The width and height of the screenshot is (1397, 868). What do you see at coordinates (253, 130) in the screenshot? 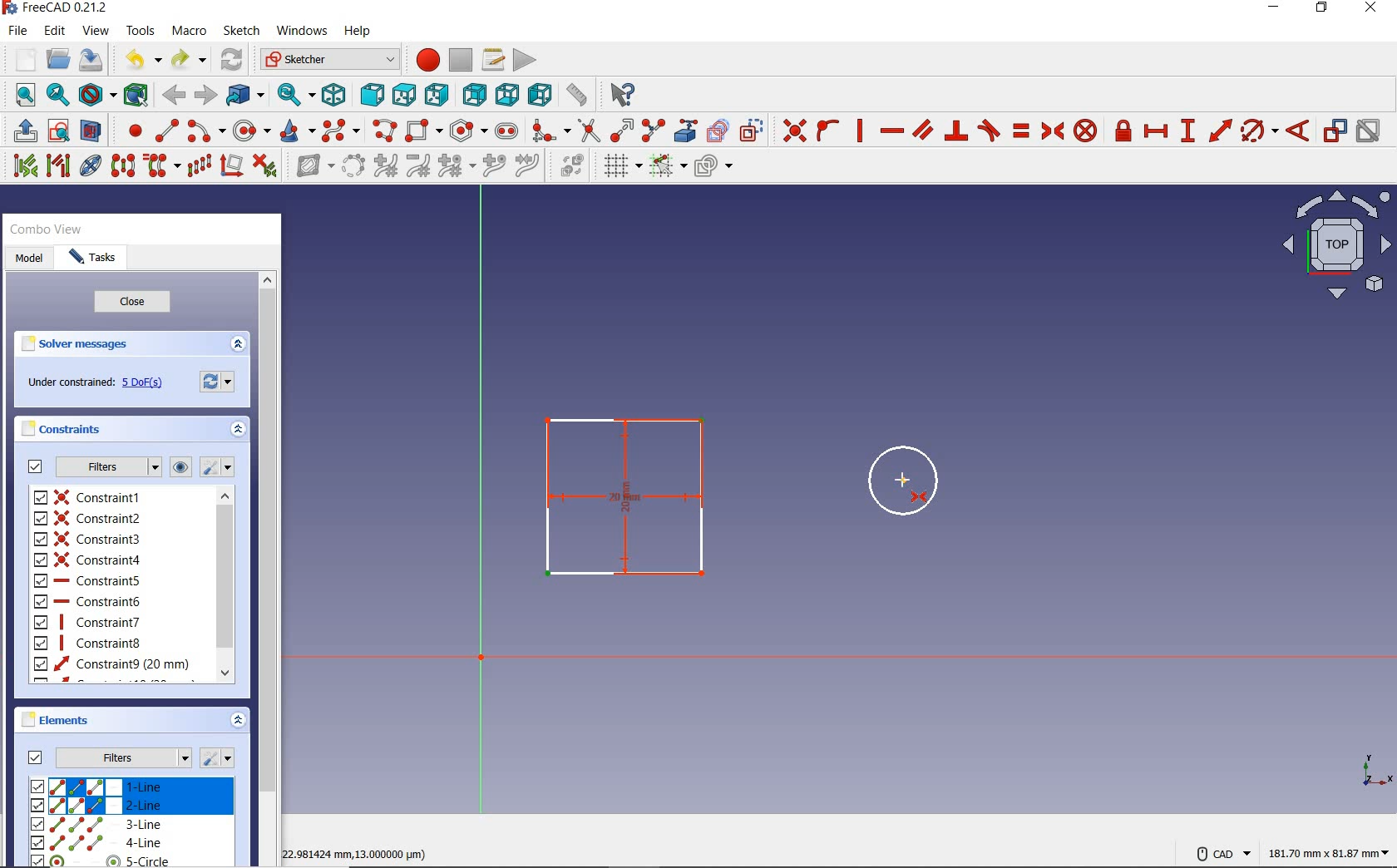
I see `create circle` at bounding box center [253, 130].